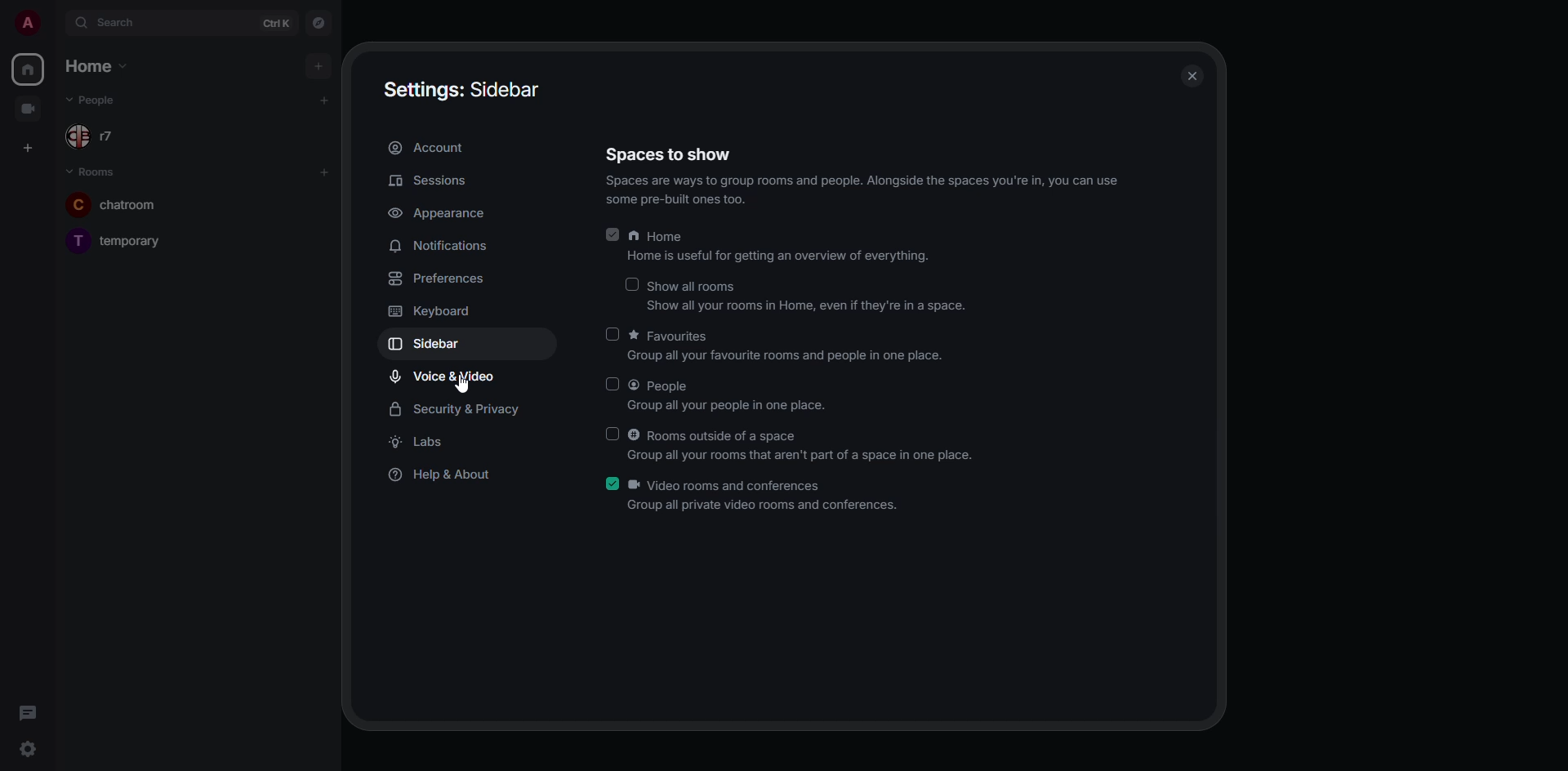  Describe the element at coordinates (317, 64) in the screenshot. I see `add` at that location.